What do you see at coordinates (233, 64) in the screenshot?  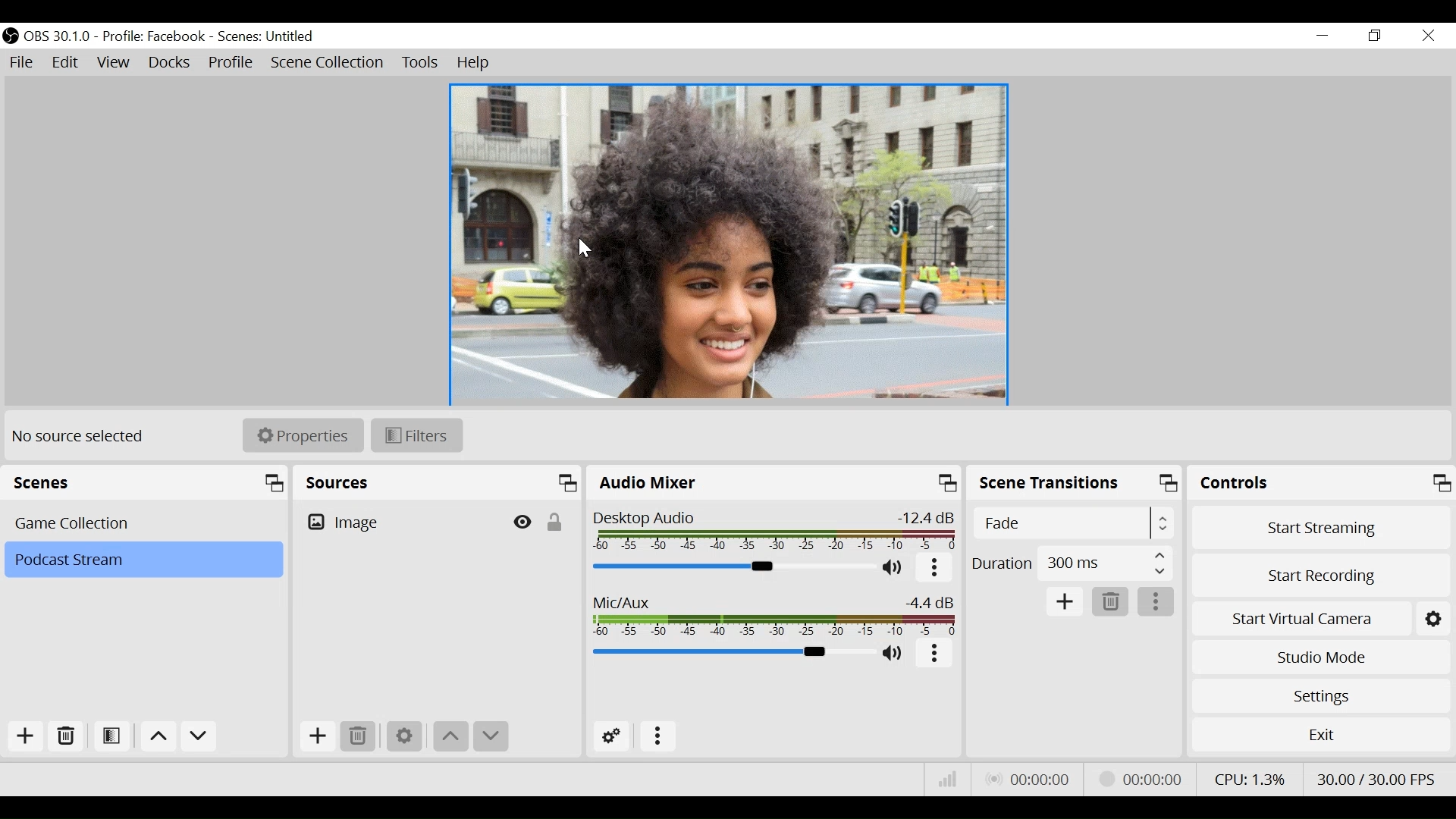 I see `Profile` at bounding box center [233, 64].